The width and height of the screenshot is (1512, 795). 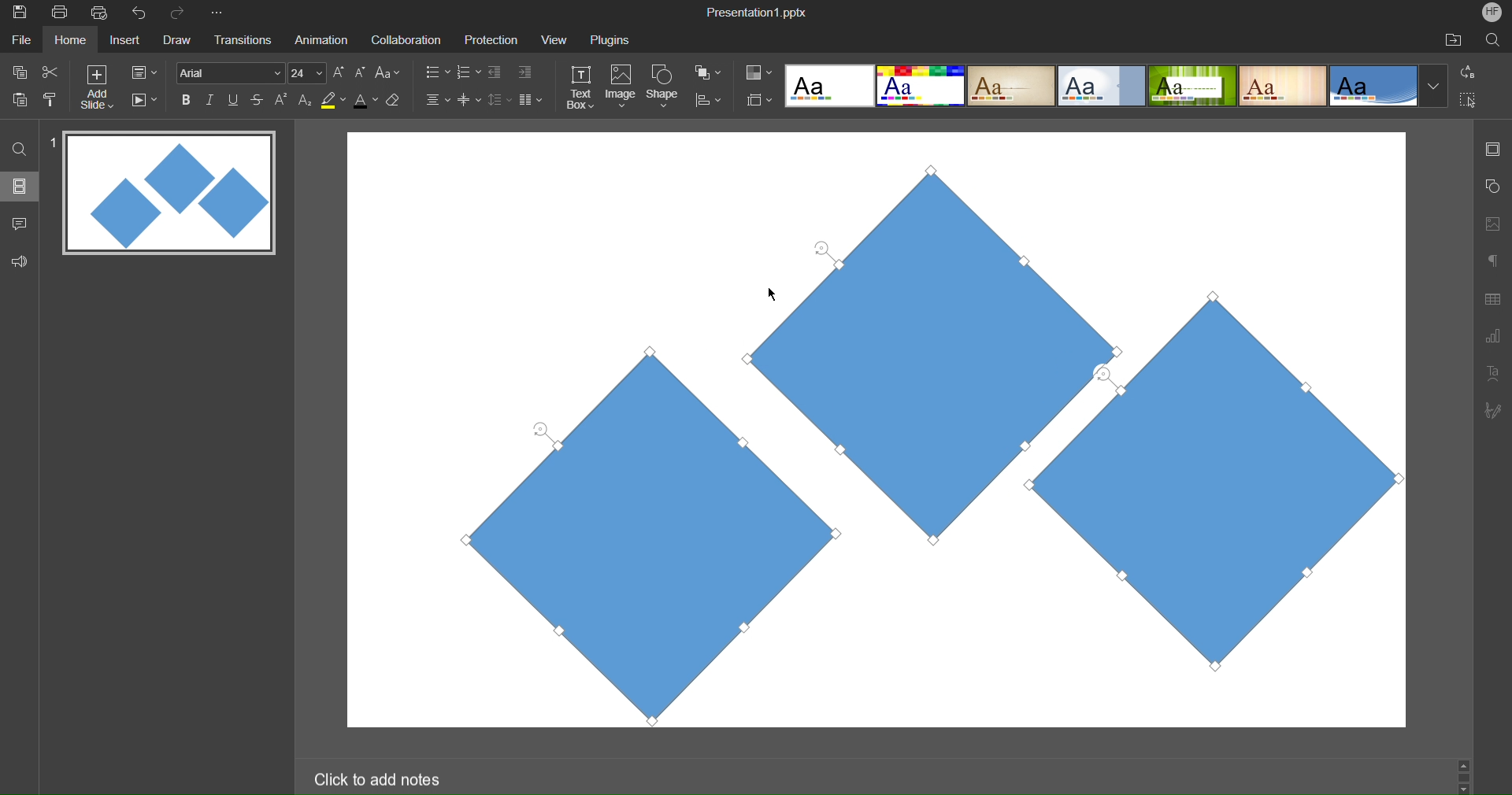 I want to click on Highlight, so click(x=334, y=100).